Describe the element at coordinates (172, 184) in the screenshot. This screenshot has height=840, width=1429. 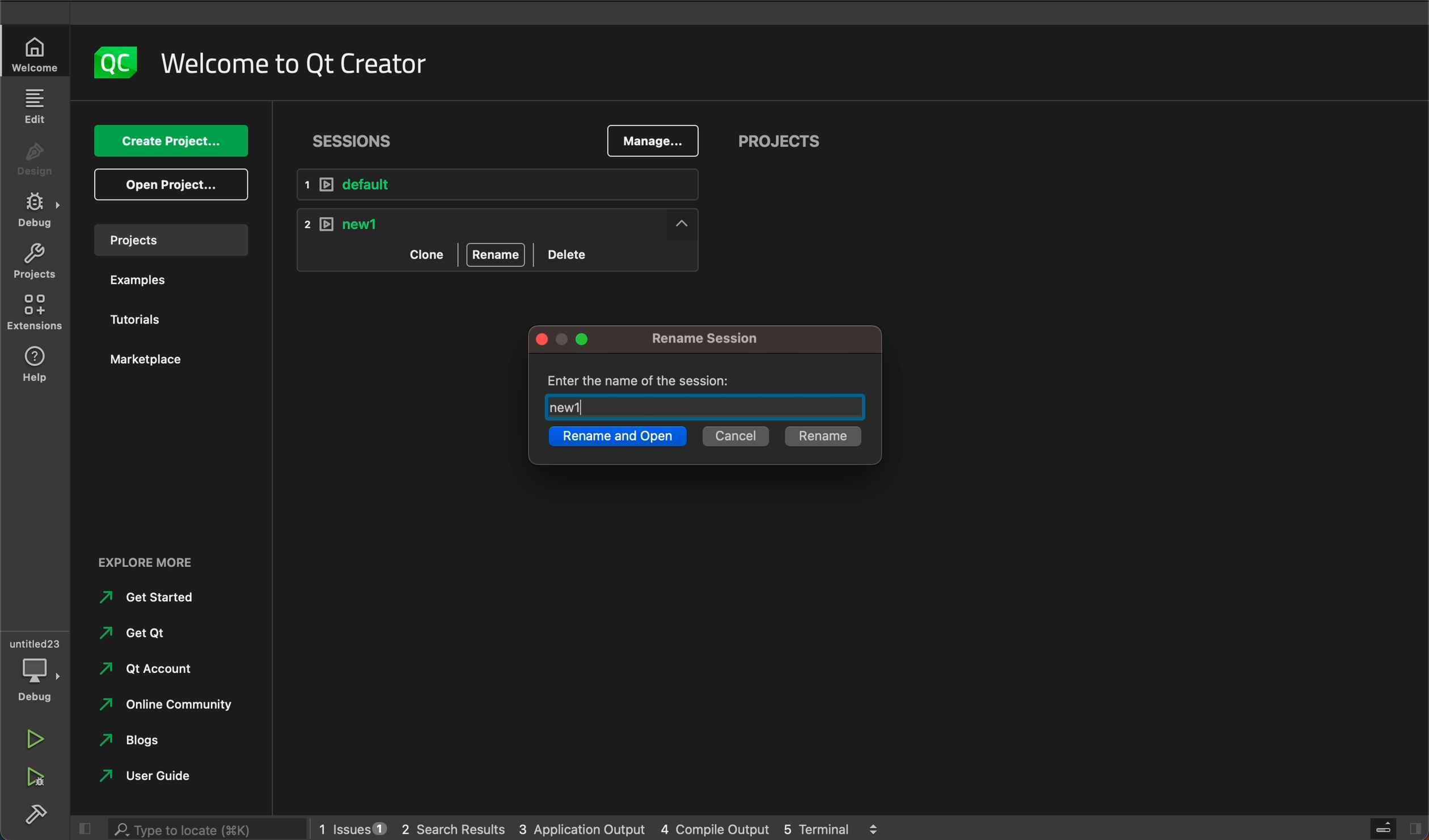
I see `open` at that location.